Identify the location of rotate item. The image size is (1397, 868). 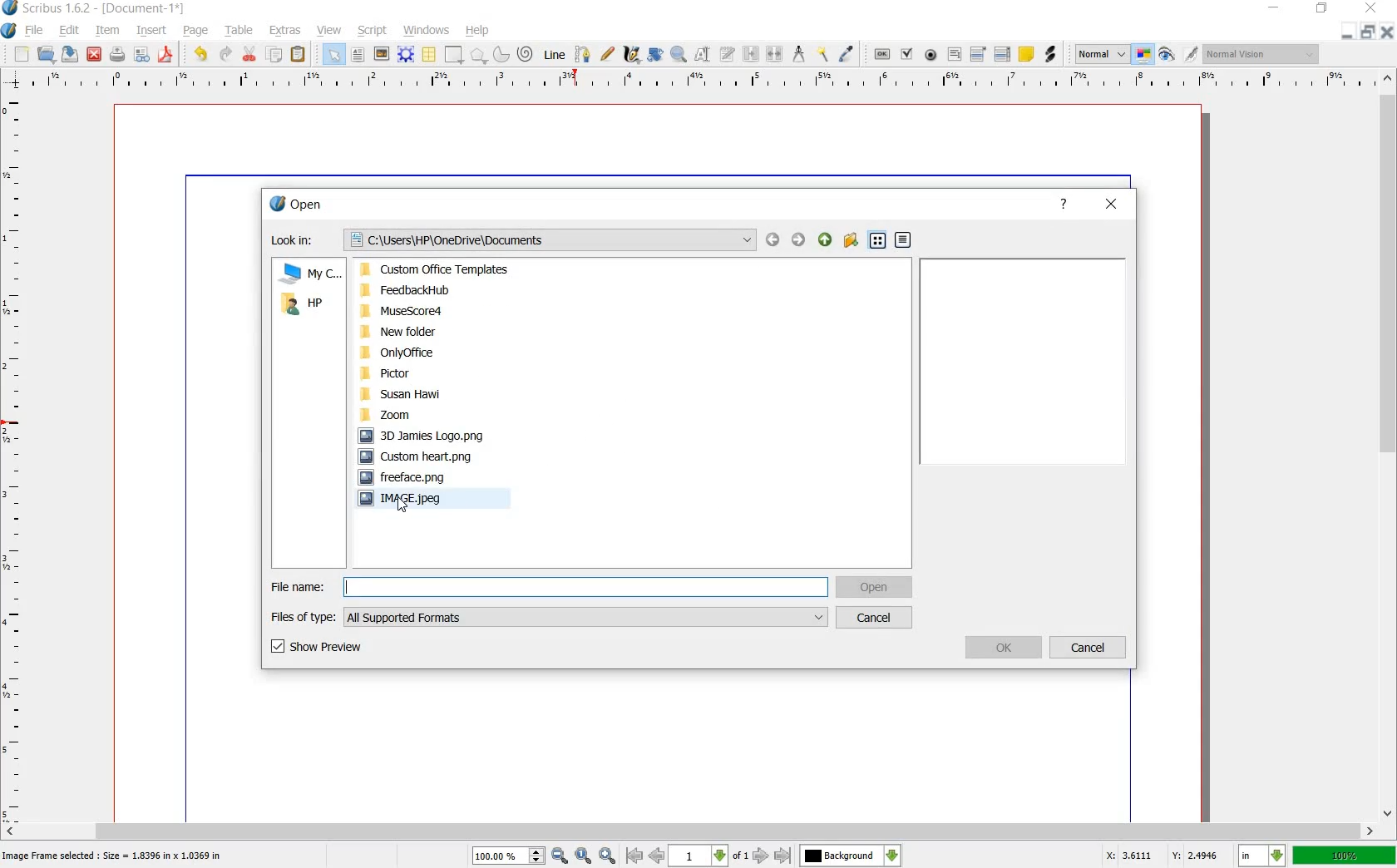
(655, 54).